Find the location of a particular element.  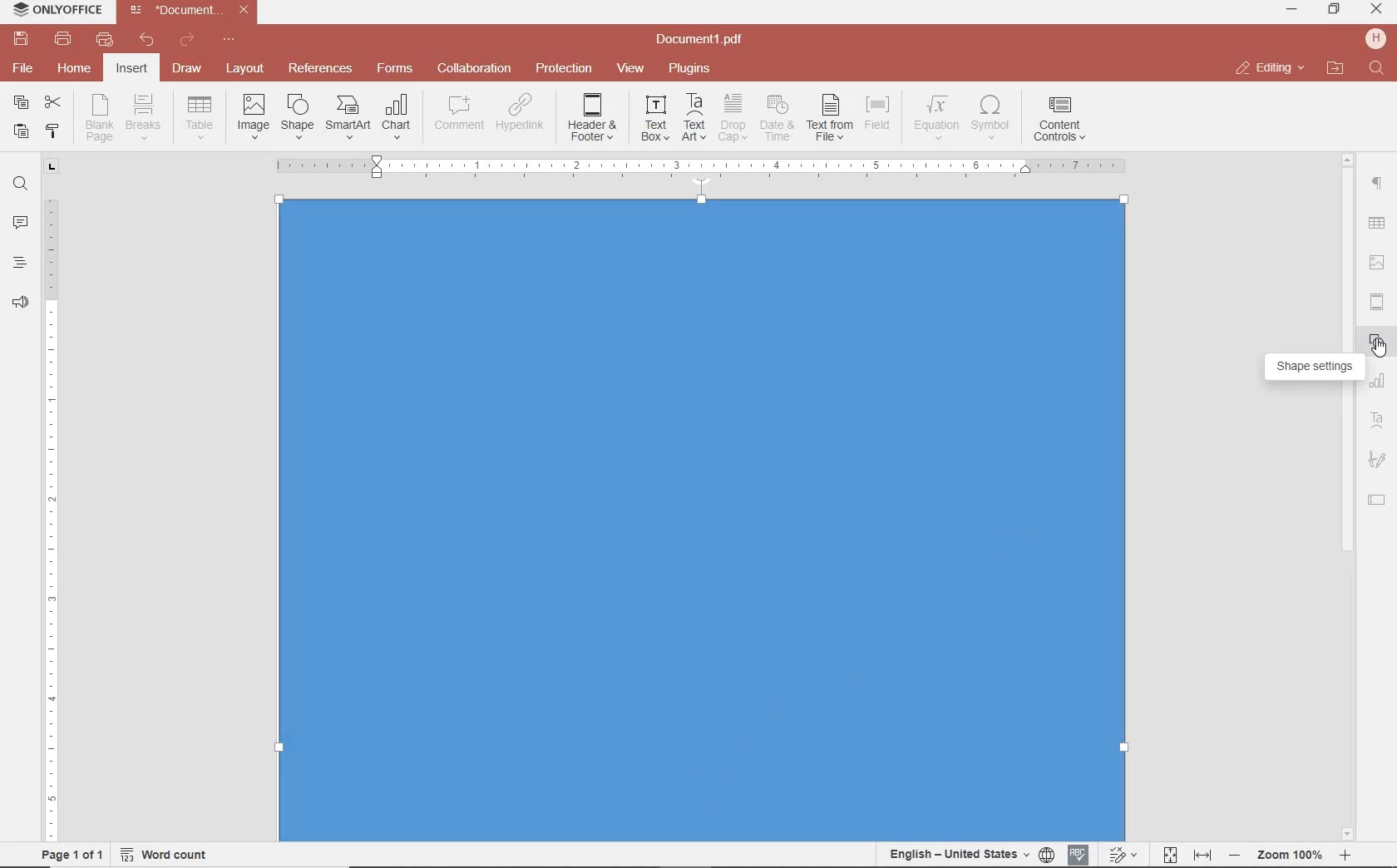

copy is located at coordinates (21, 104).